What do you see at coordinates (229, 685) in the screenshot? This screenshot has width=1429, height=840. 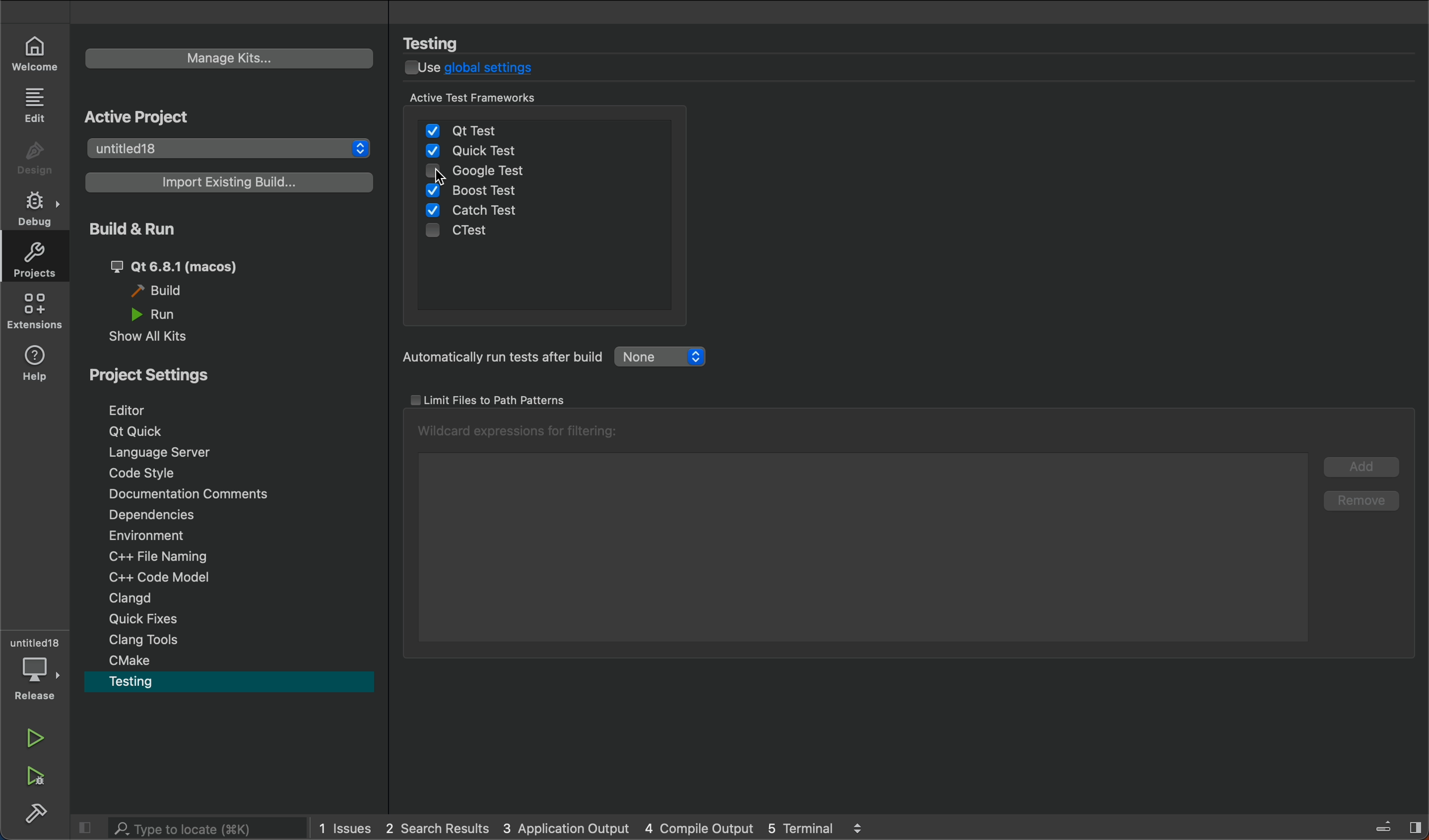 I see `testing` at bounding box center [229, 685].